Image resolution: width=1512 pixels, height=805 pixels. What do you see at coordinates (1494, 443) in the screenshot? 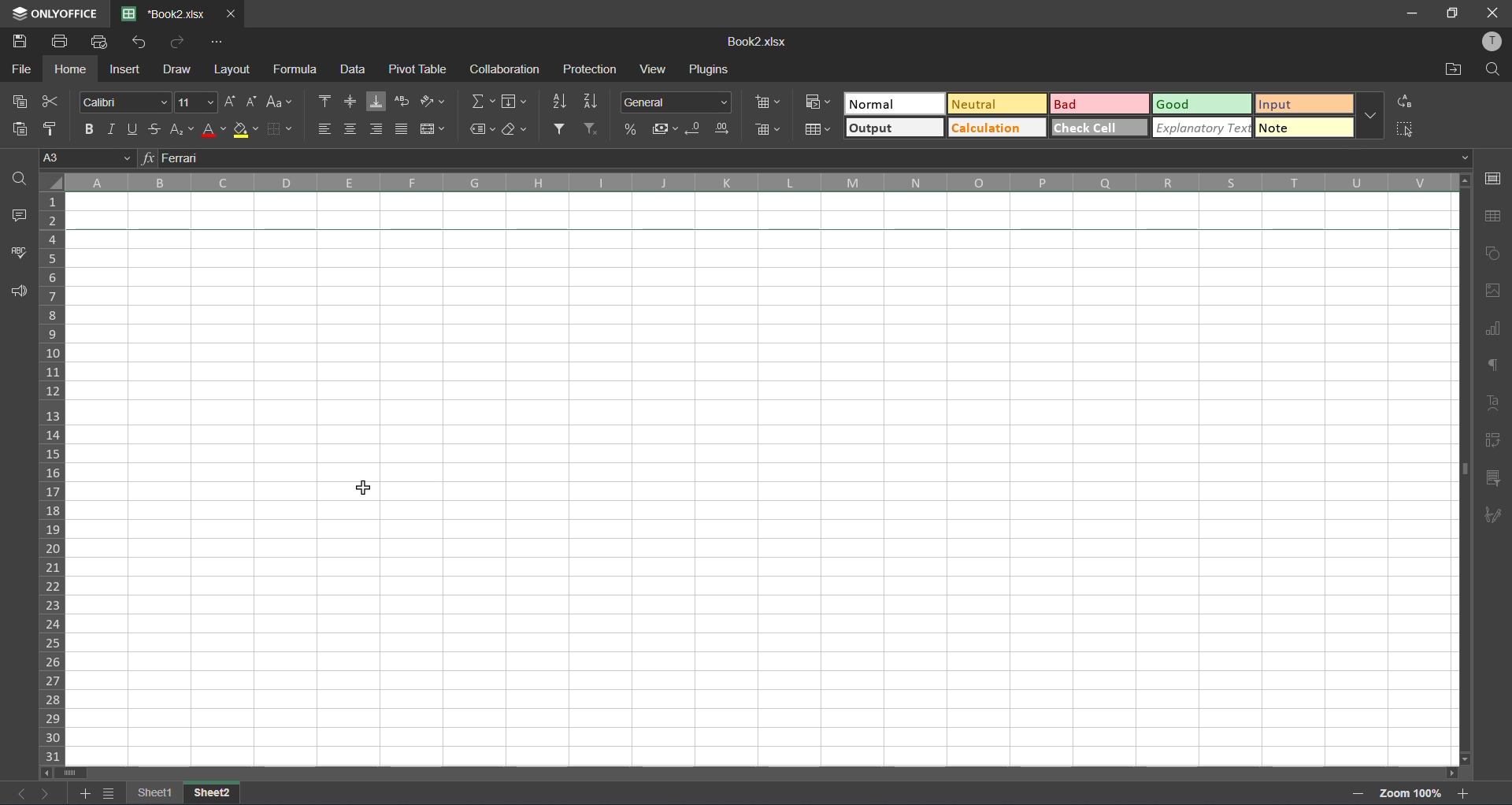
I see `pivot table` at bounding box center [1494, 443].